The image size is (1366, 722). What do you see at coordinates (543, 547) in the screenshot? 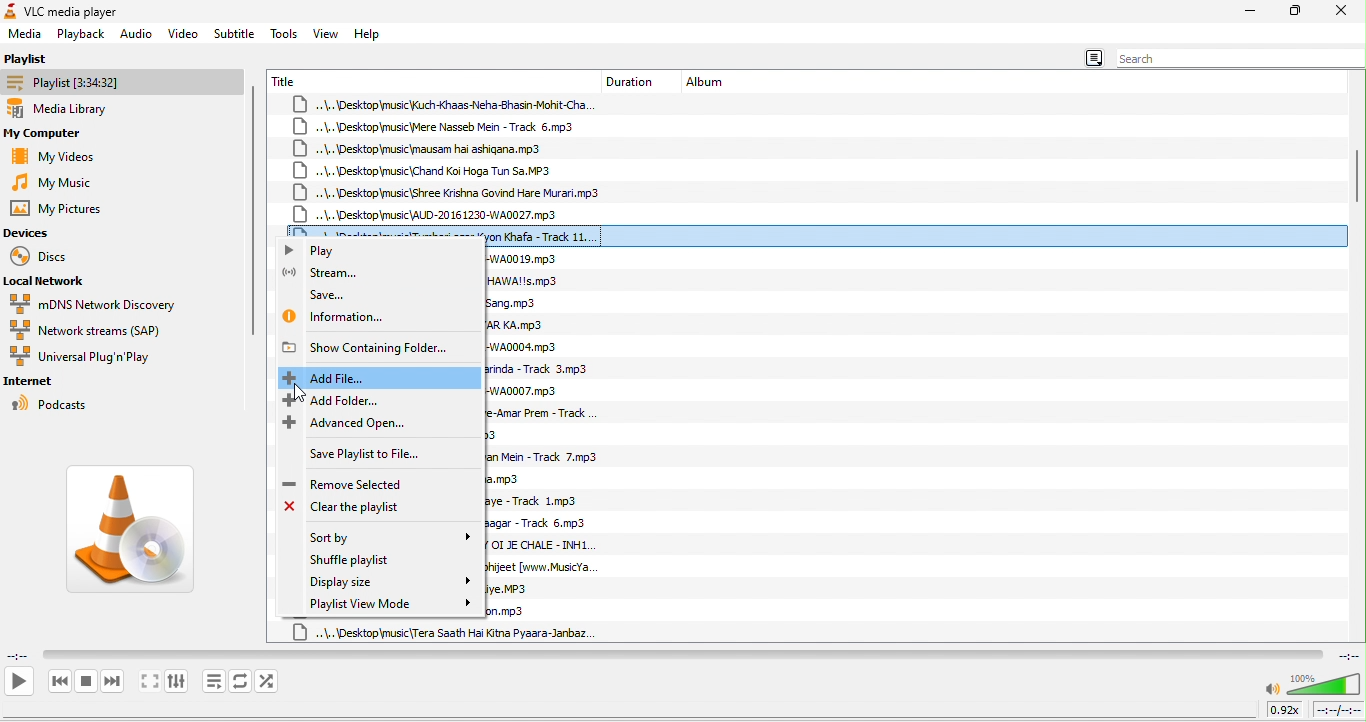
I see `..\..\Desktop\music\23 PATHIK HEY OI JE CHALE - INH1.` at bounding box center [543, 547].